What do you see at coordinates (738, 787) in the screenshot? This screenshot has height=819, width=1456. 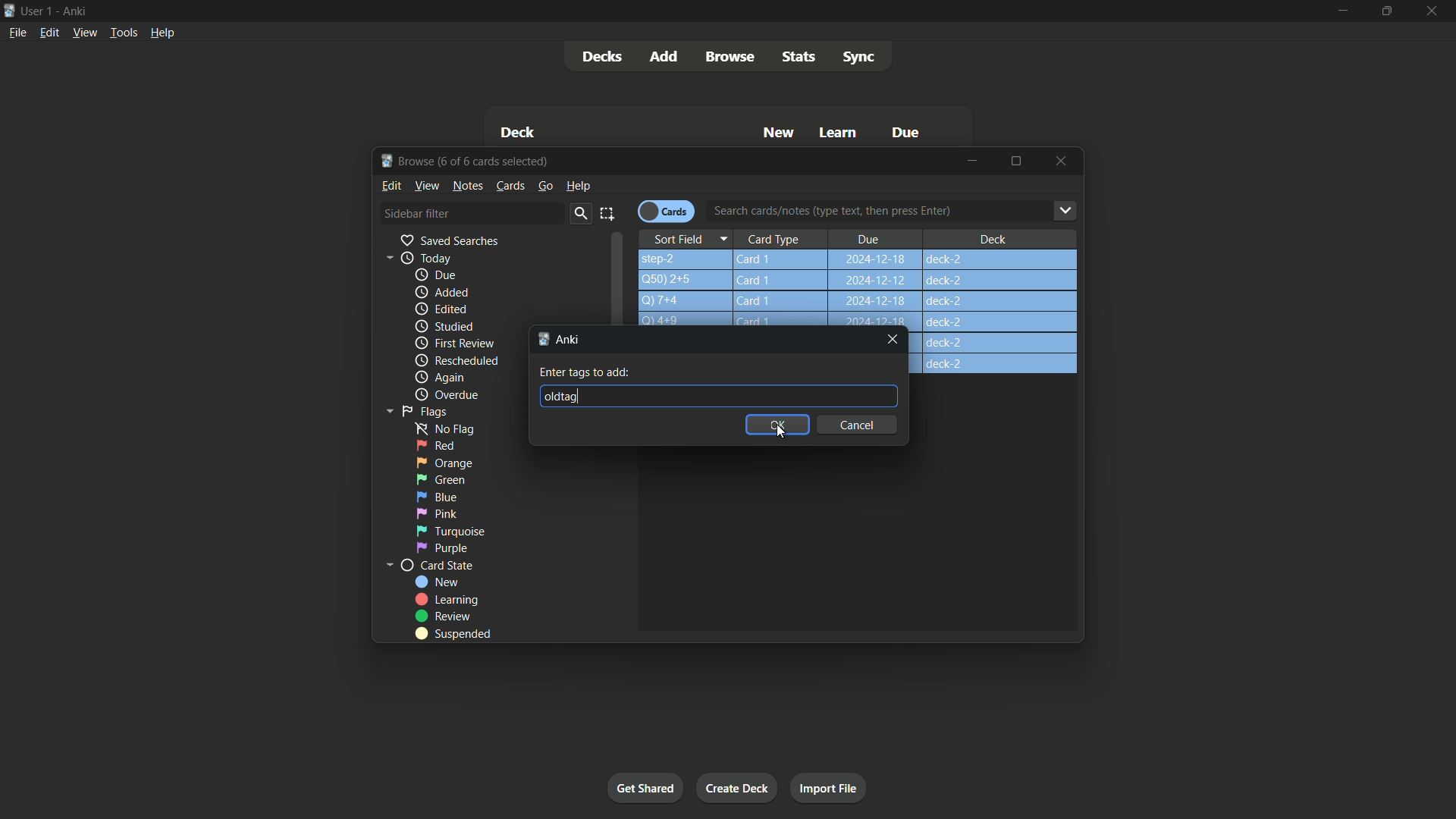 I see `Create deck` at bounding box center [738, 787].